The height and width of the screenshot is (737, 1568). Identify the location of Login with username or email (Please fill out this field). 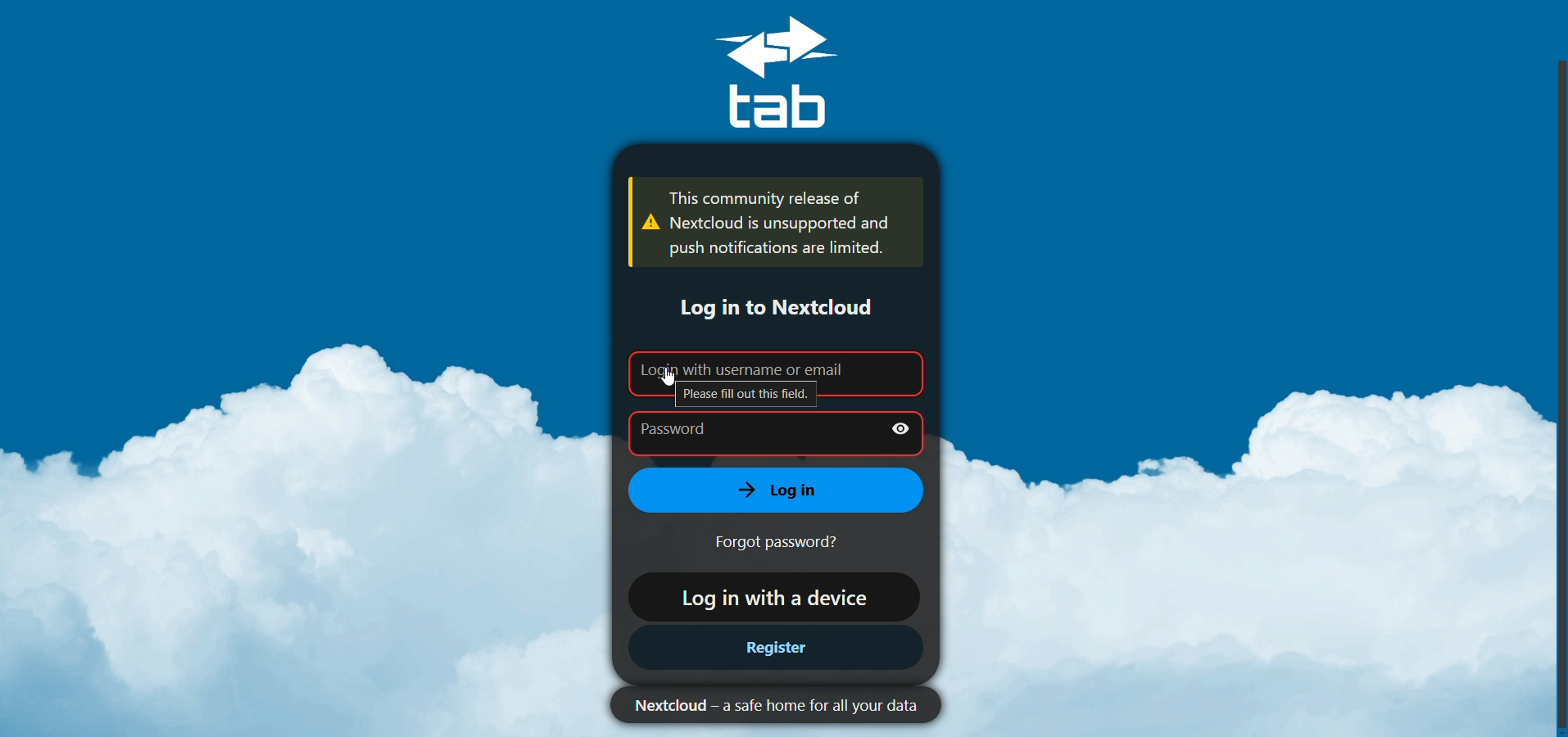
(775, 374).